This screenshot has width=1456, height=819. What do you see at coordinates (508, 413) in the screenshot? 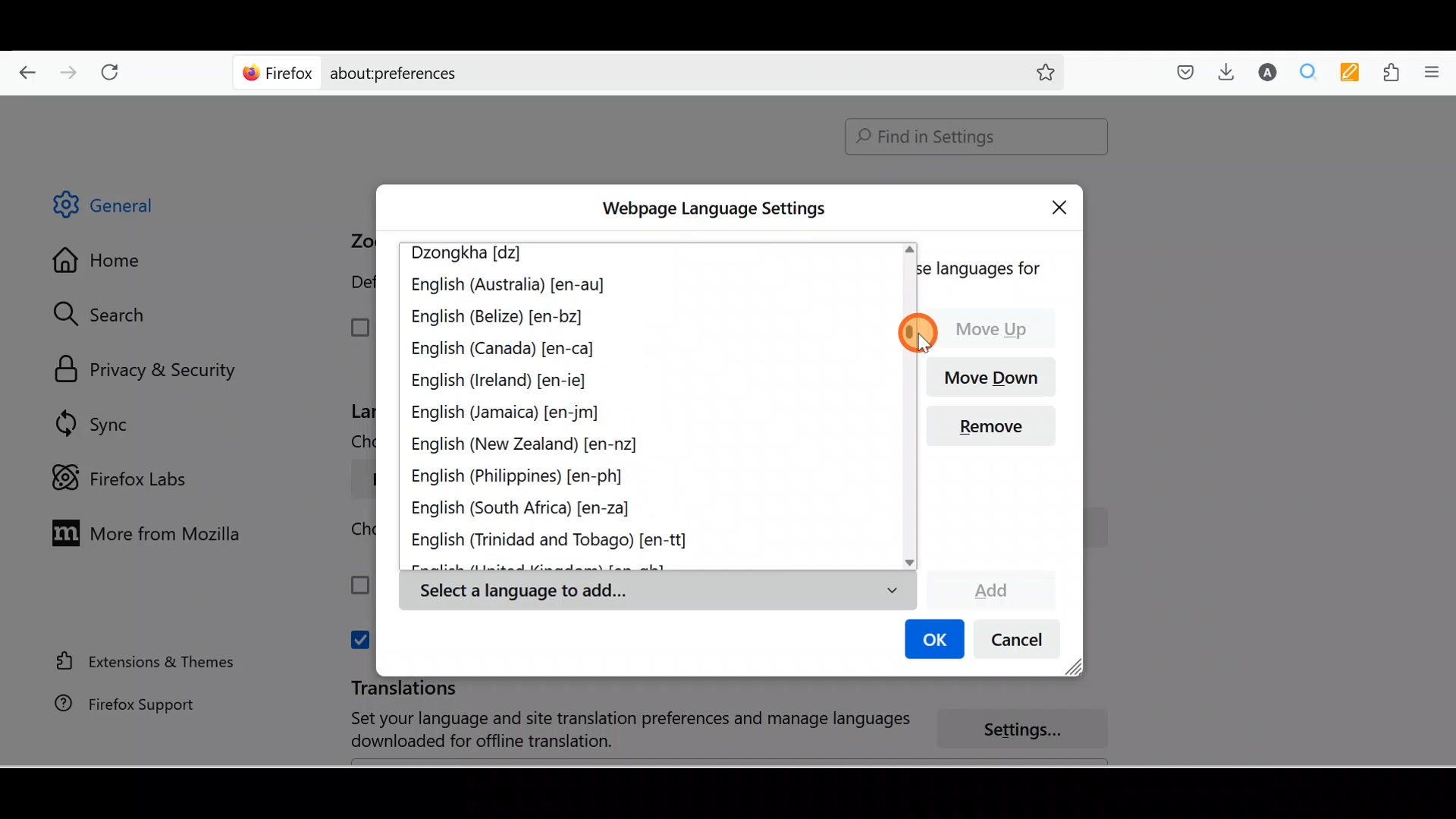
I see `English (Jamaica) [en-jm]` at bounding box center [508, 413].